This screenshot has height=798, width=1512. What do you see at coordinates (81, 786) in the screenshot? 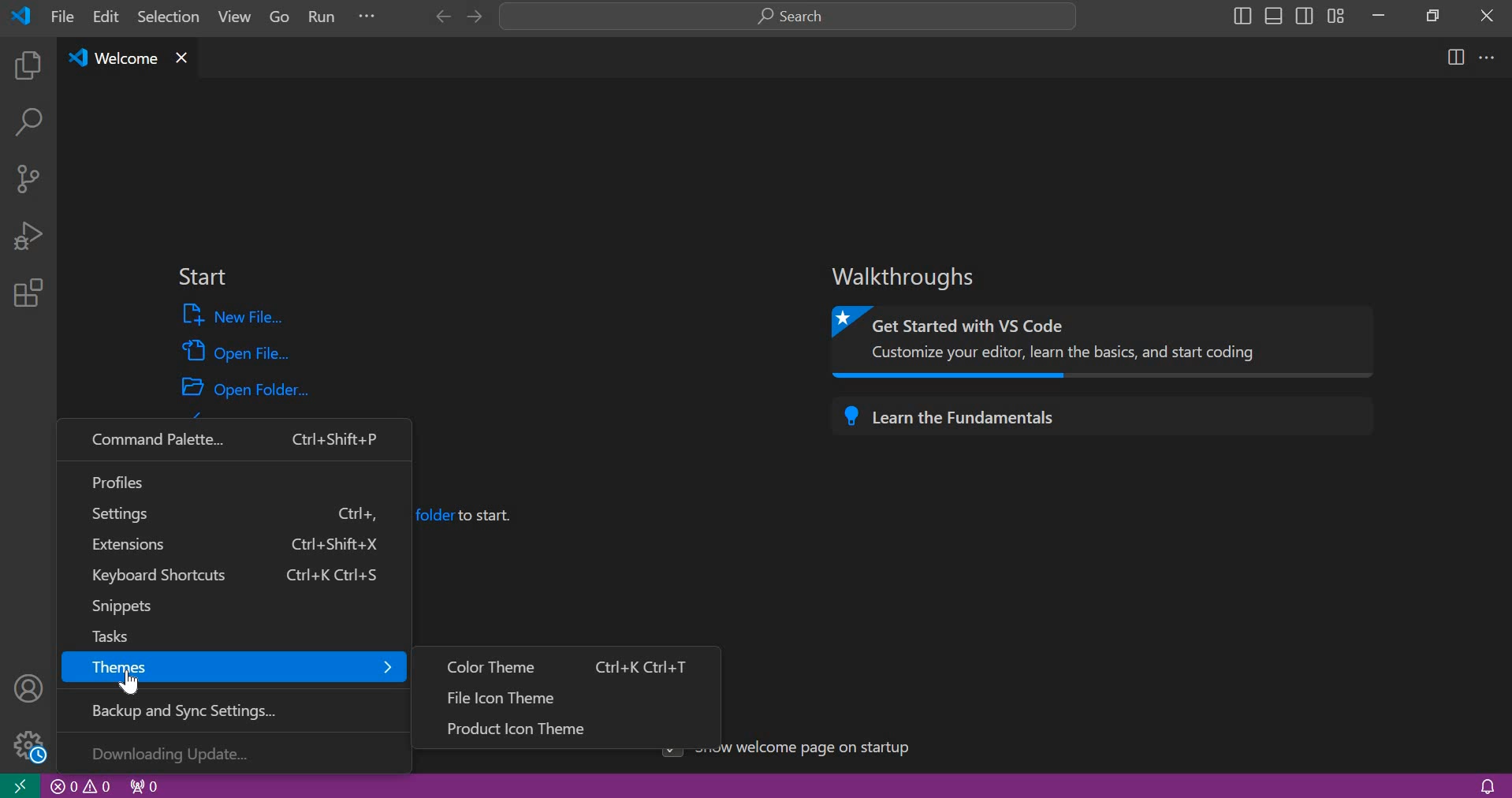
I see `no problems` at bounding box center [81, 786].